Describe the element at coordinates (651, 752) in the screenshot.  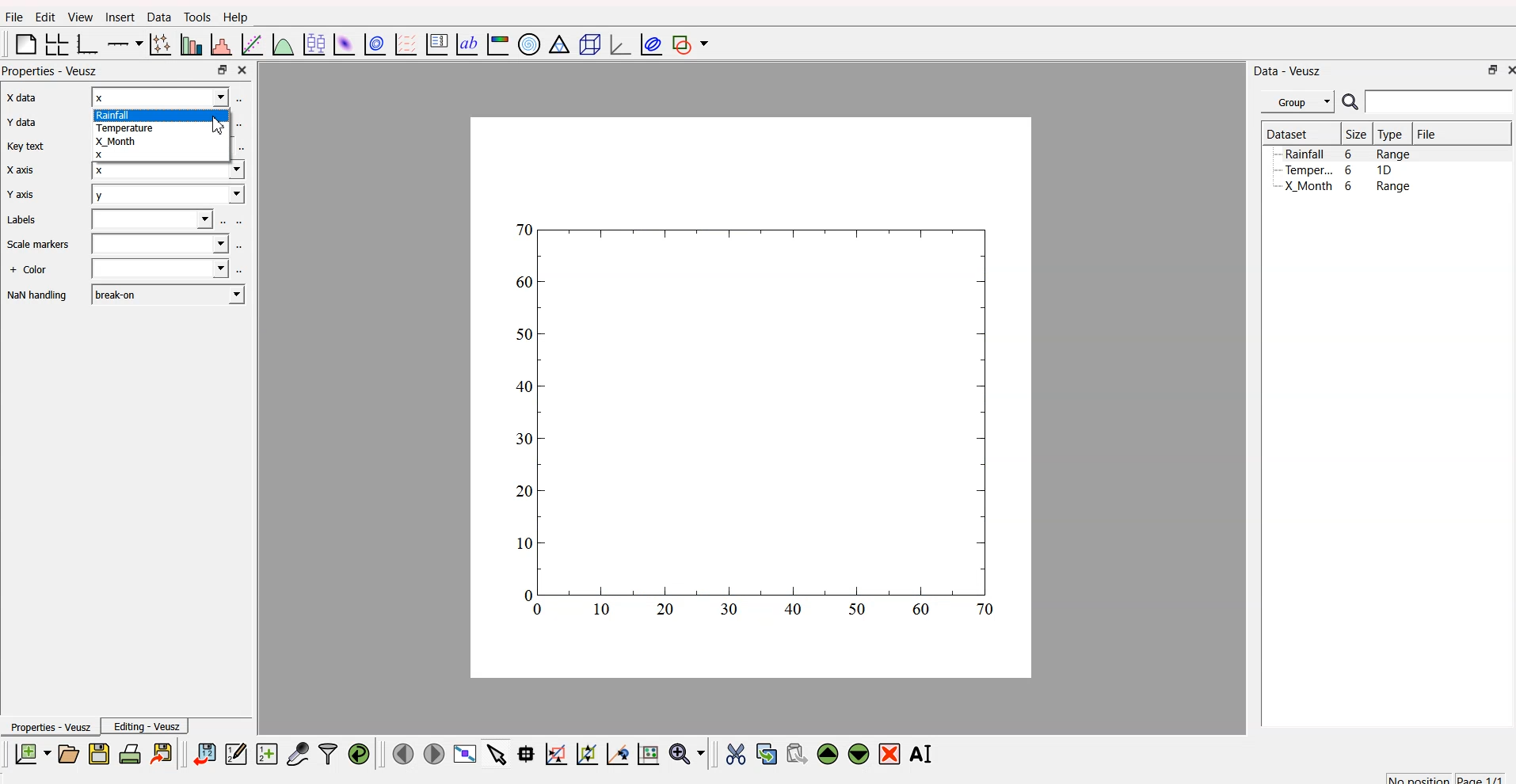
I see `reset graph axes` at that location.